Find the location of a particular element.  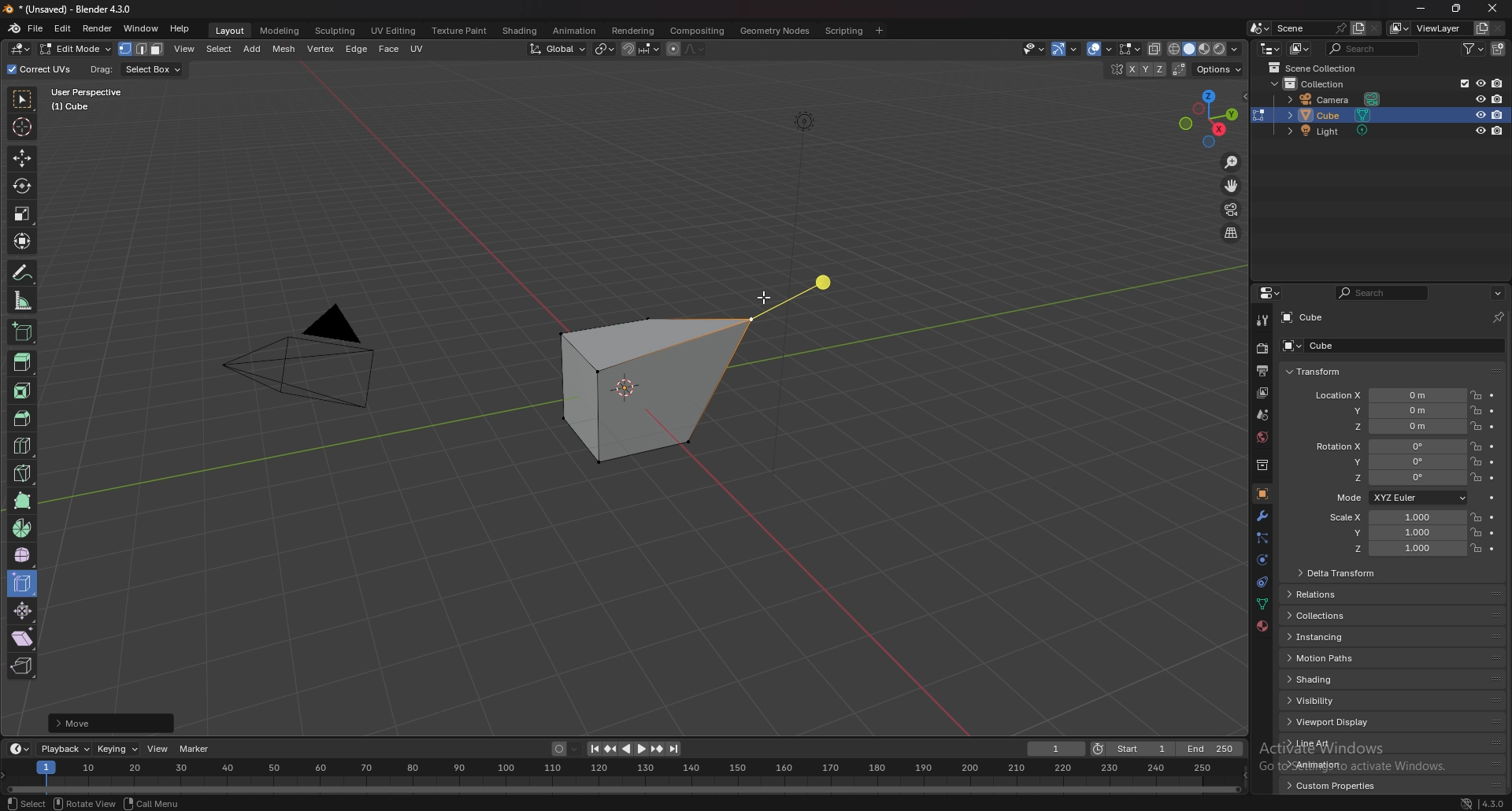

rotate is located at coordinates (21, 186).